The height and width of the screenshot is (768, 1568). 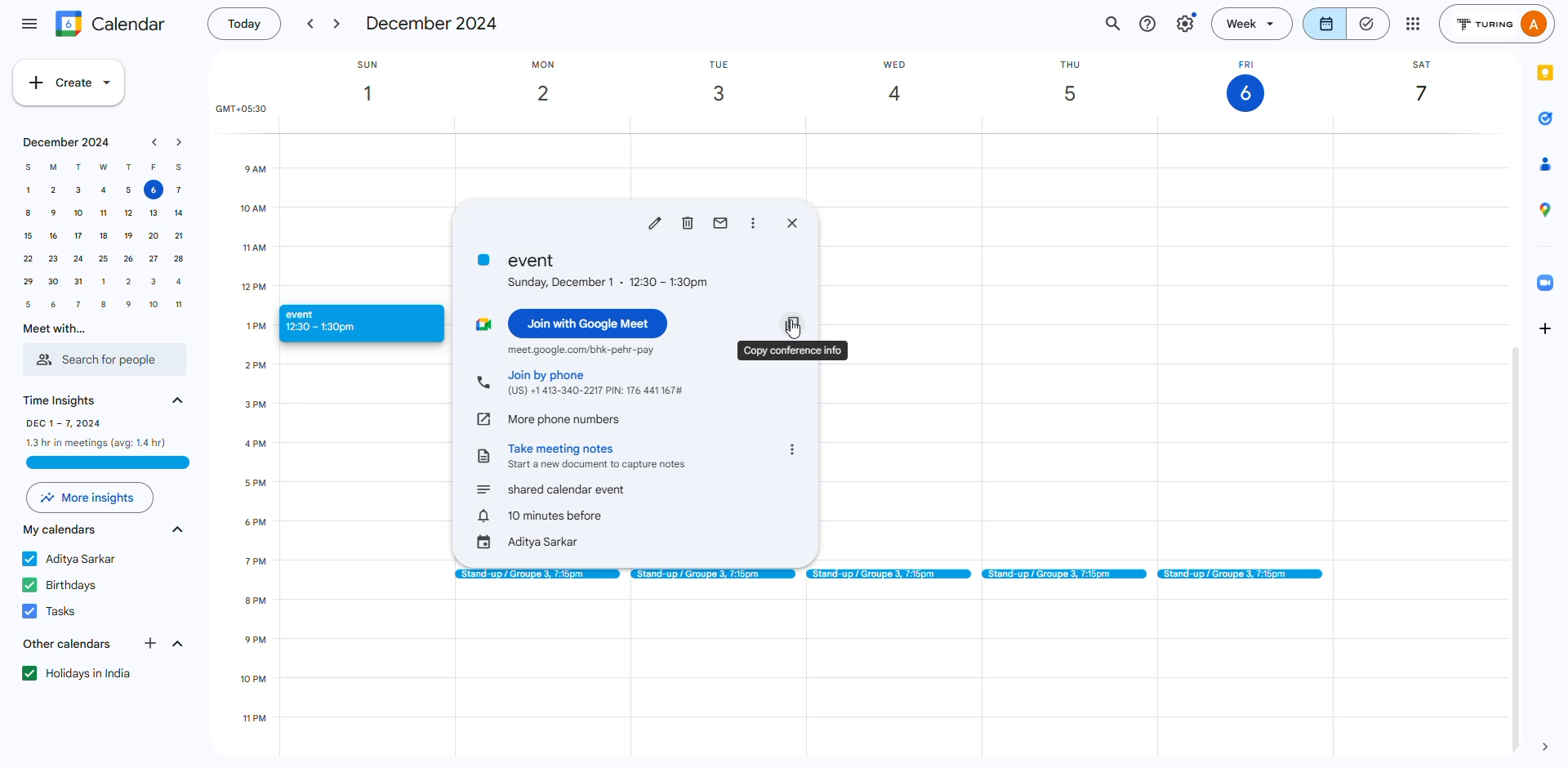 What do you see at coordinates (180, 191) in the screenshot?
I see `7` at bounding box center [180, 191].